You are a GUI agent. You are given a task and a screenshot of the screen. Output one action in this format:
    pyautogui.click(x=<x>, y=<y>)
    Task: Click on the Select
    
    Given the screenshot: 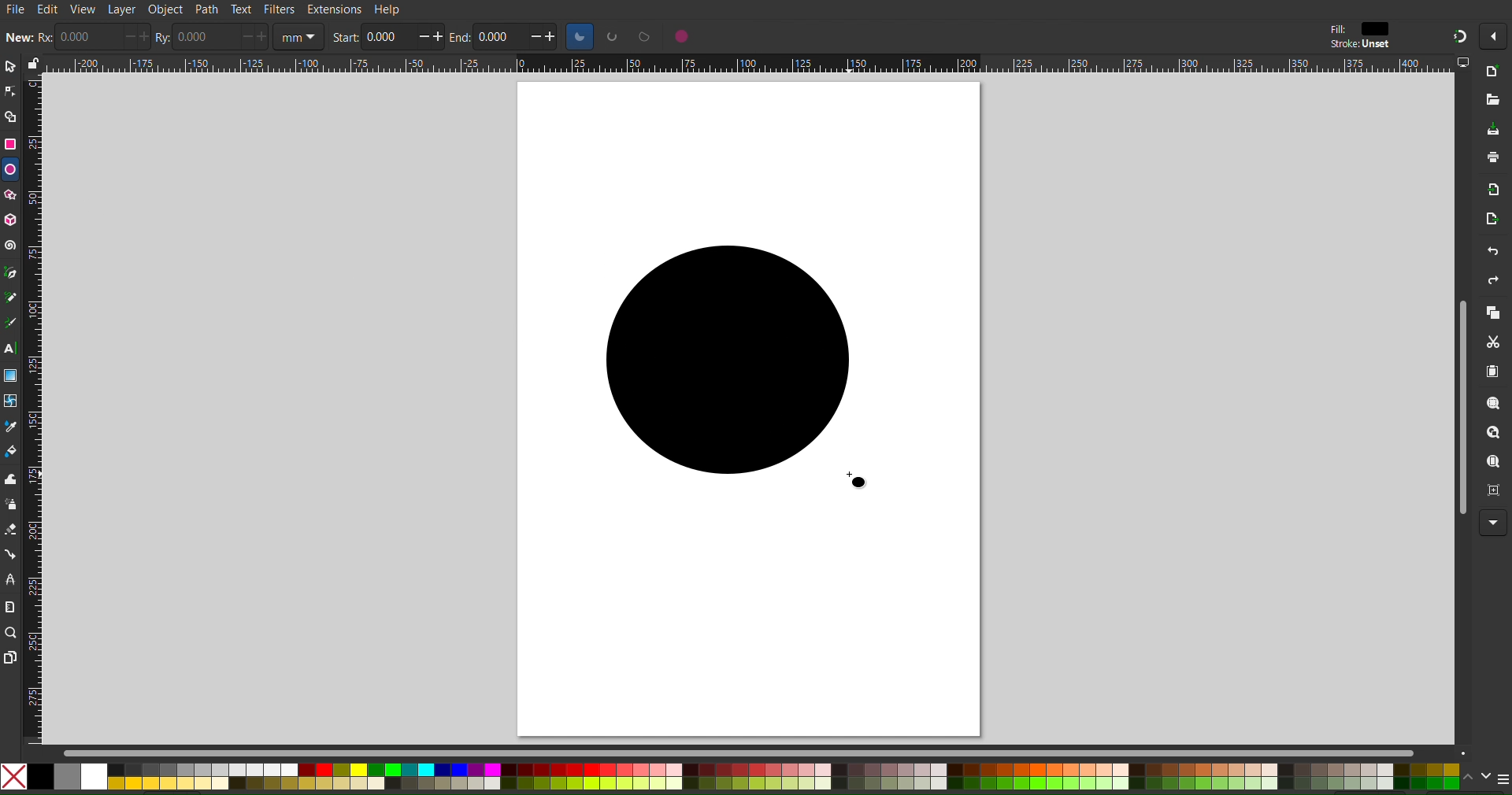 What is the action you would take?
    pyautogui.click(x=11, y=66)
    